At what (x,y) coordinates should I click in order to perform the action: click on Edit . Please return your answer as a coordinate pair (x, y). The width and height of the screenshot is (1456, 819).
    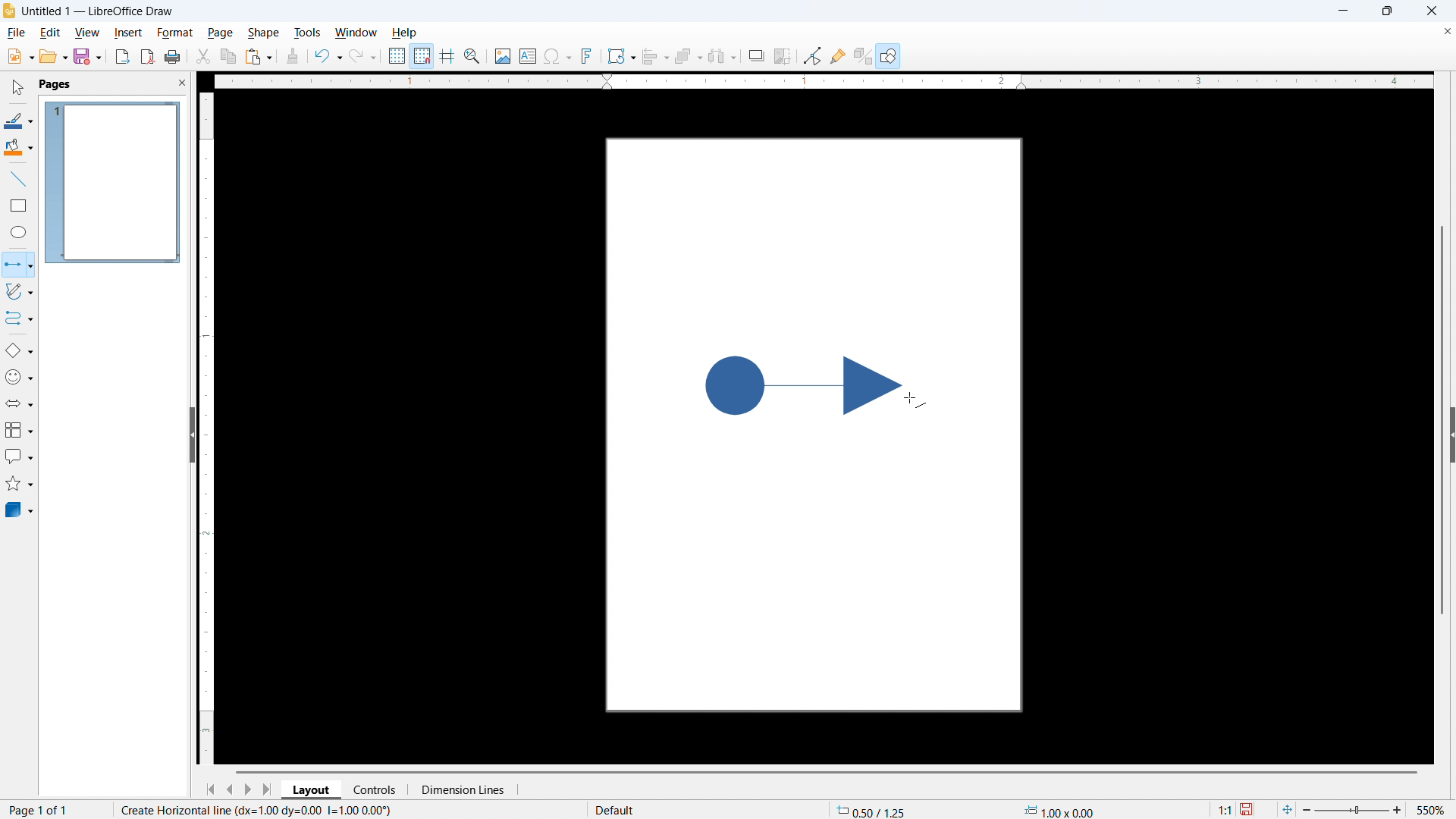
    Looking at the image, I should click on (52, 33).